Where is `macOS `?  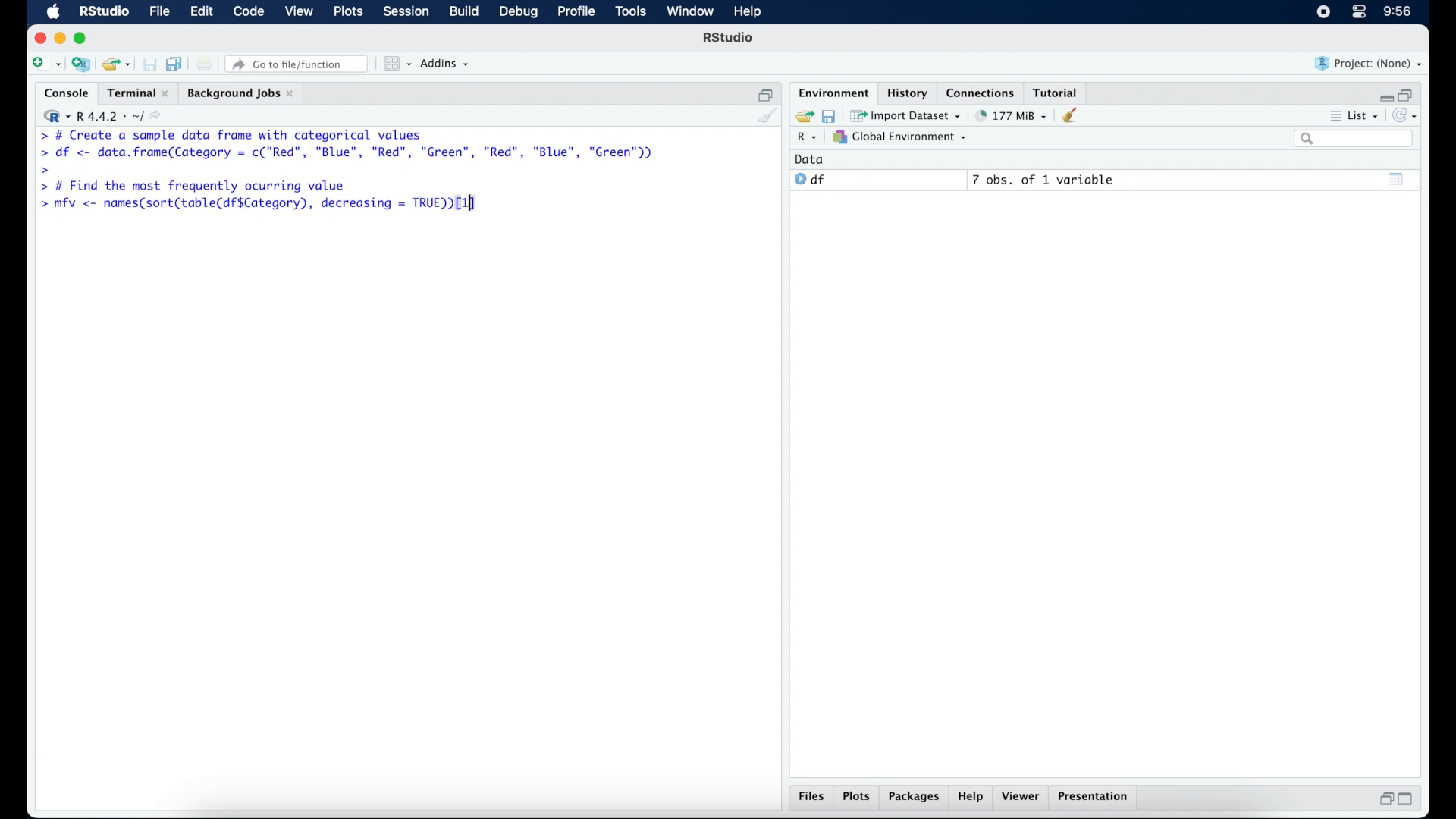
macOS  is located at coordinates (53, 12).